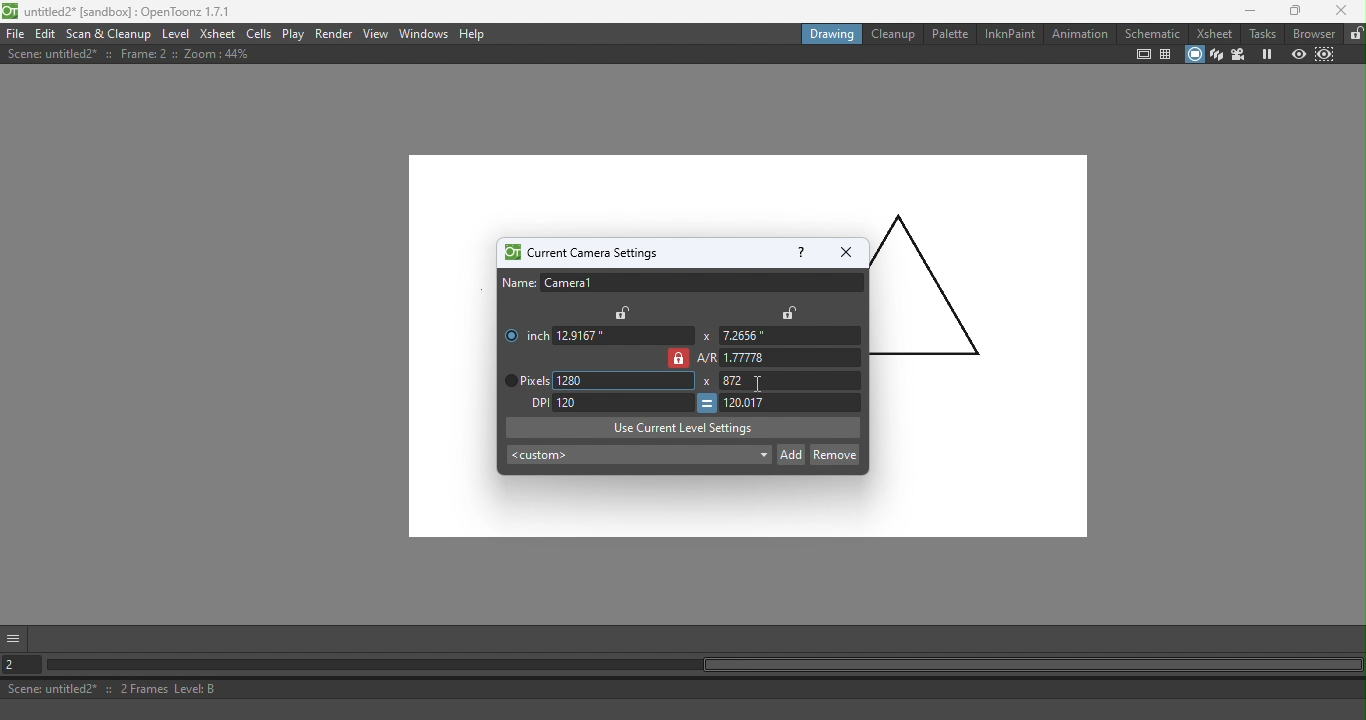 This screenshot has height=720, width=1366. I want to click on Use current level settings, so click(683, 427).